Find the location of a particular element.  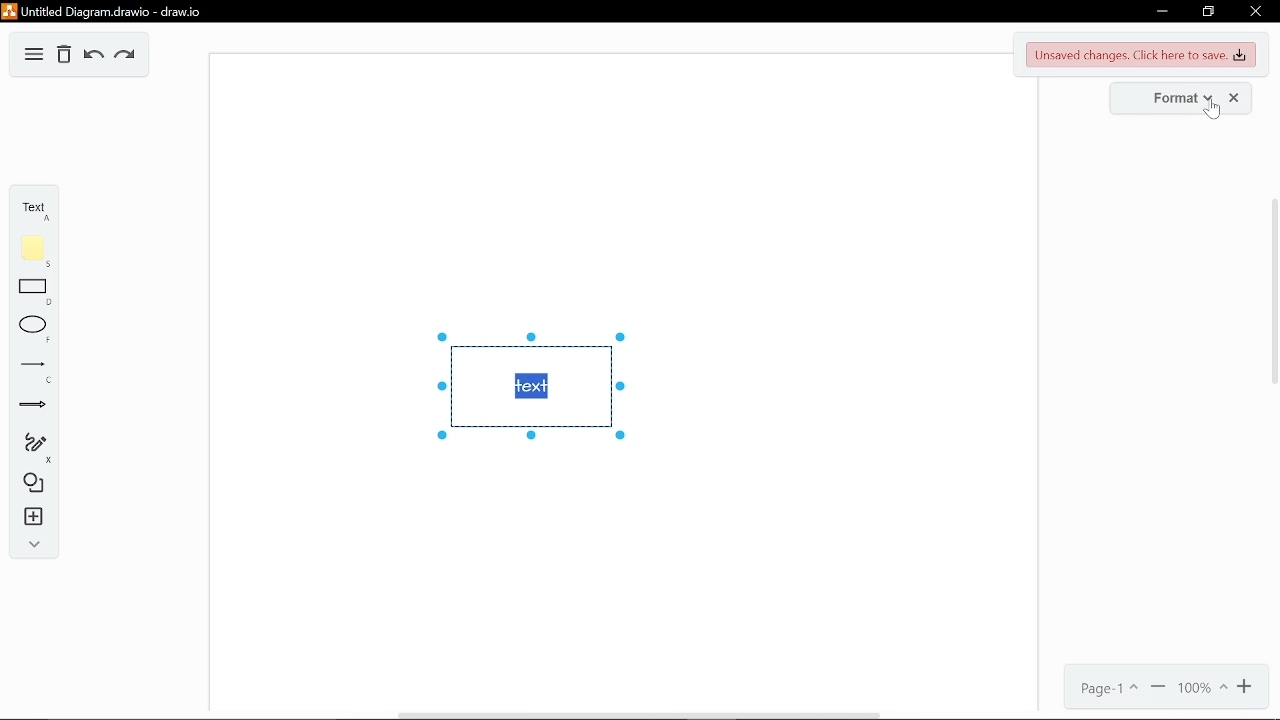

note is located at coordinates (29, 251).